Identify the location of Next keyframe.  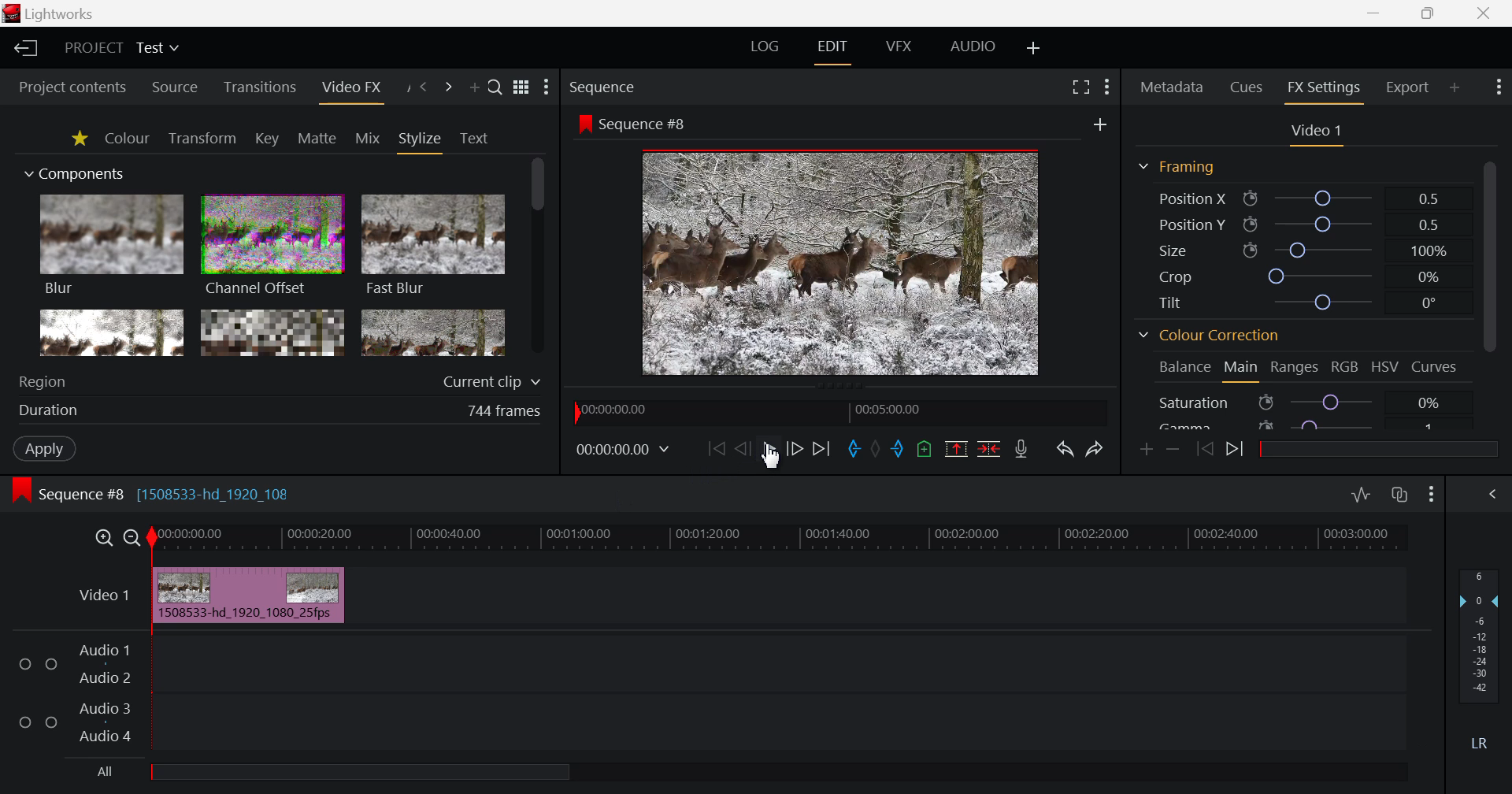
(1236, 451).